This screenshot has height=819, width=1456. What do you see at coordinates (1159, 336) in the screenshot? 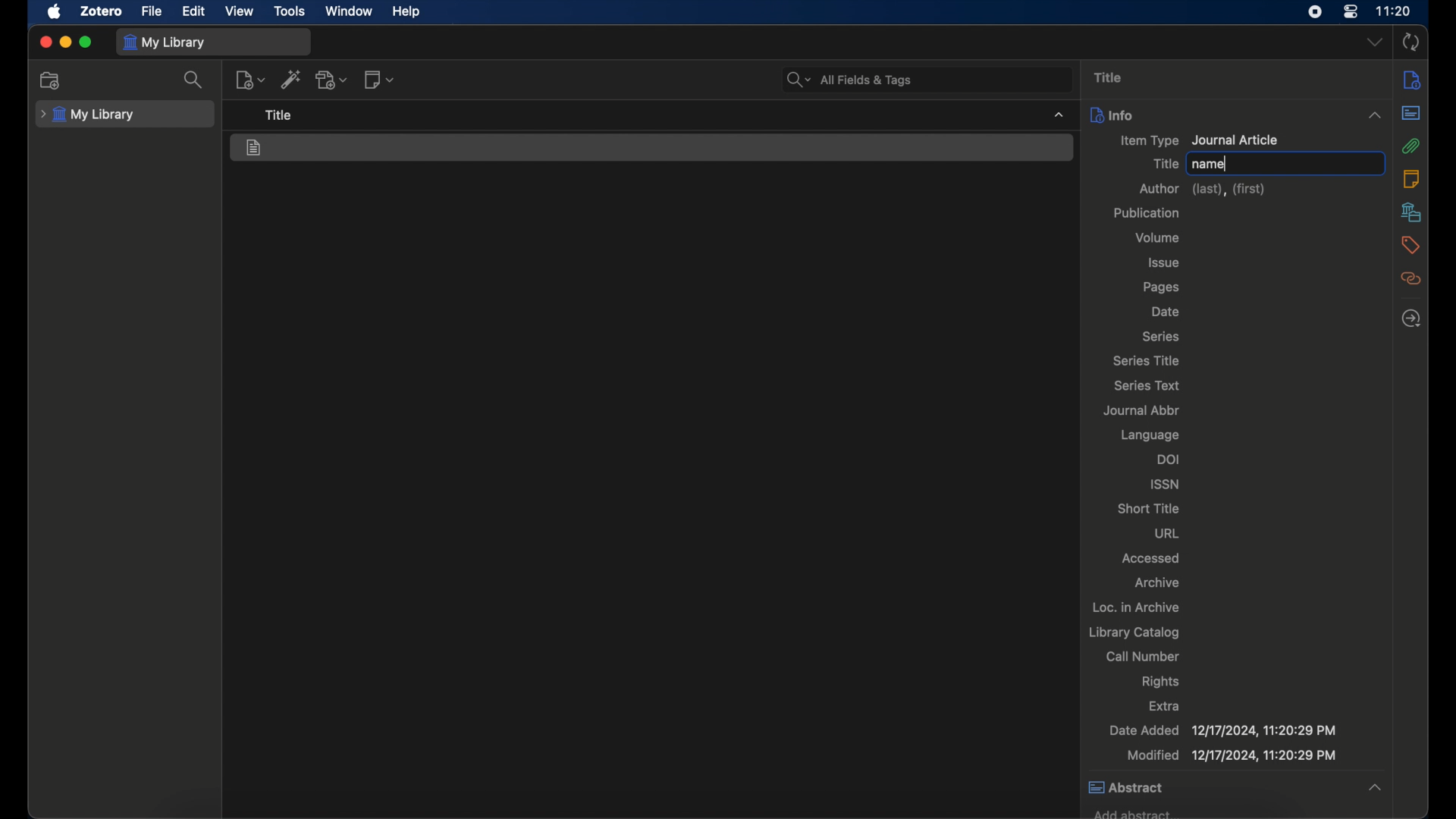
I see `series` at bounding box center [1159, 336].